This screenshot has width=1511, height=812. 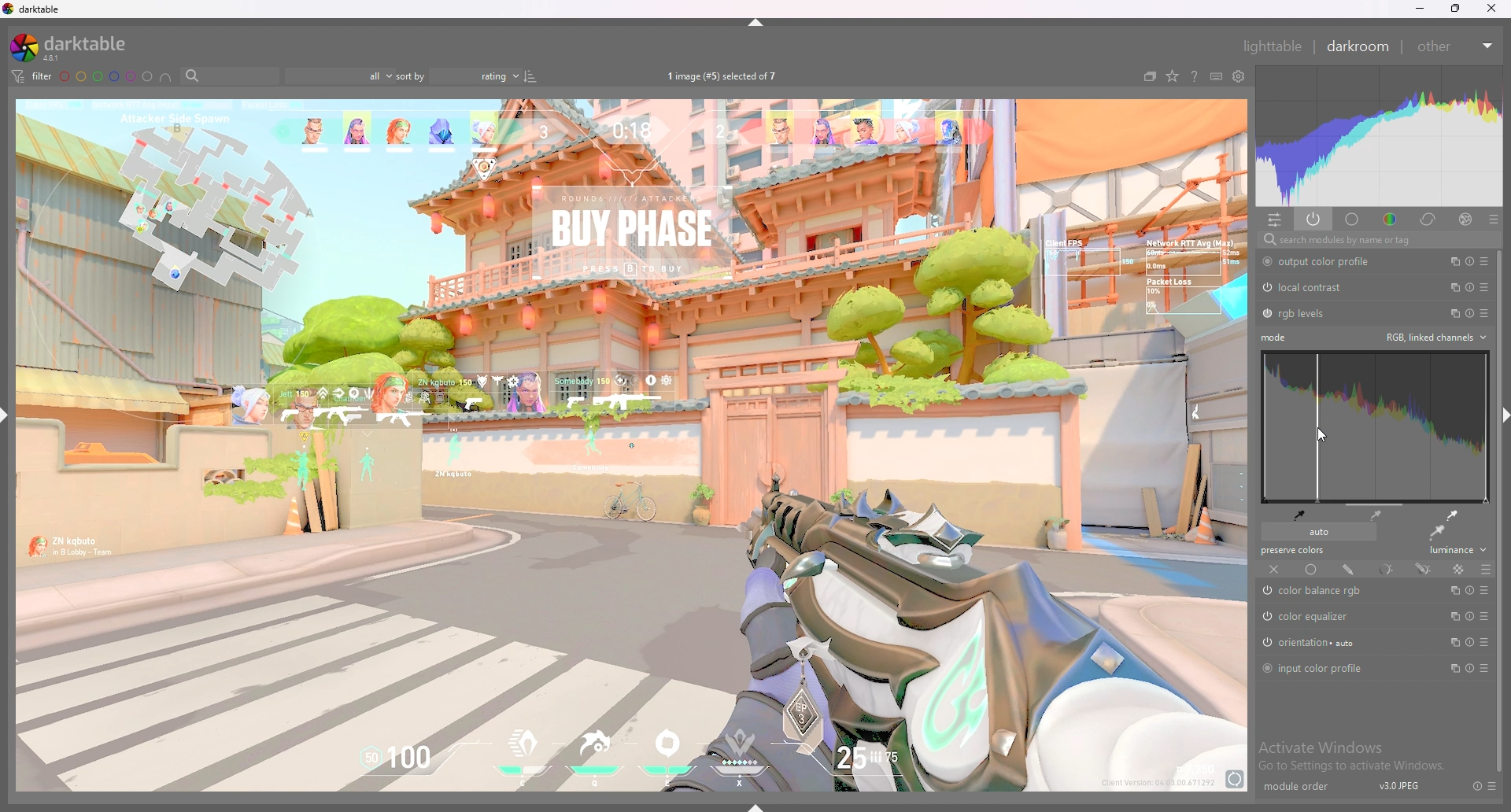 I want to click on hide, so click(x=1507, y=415).